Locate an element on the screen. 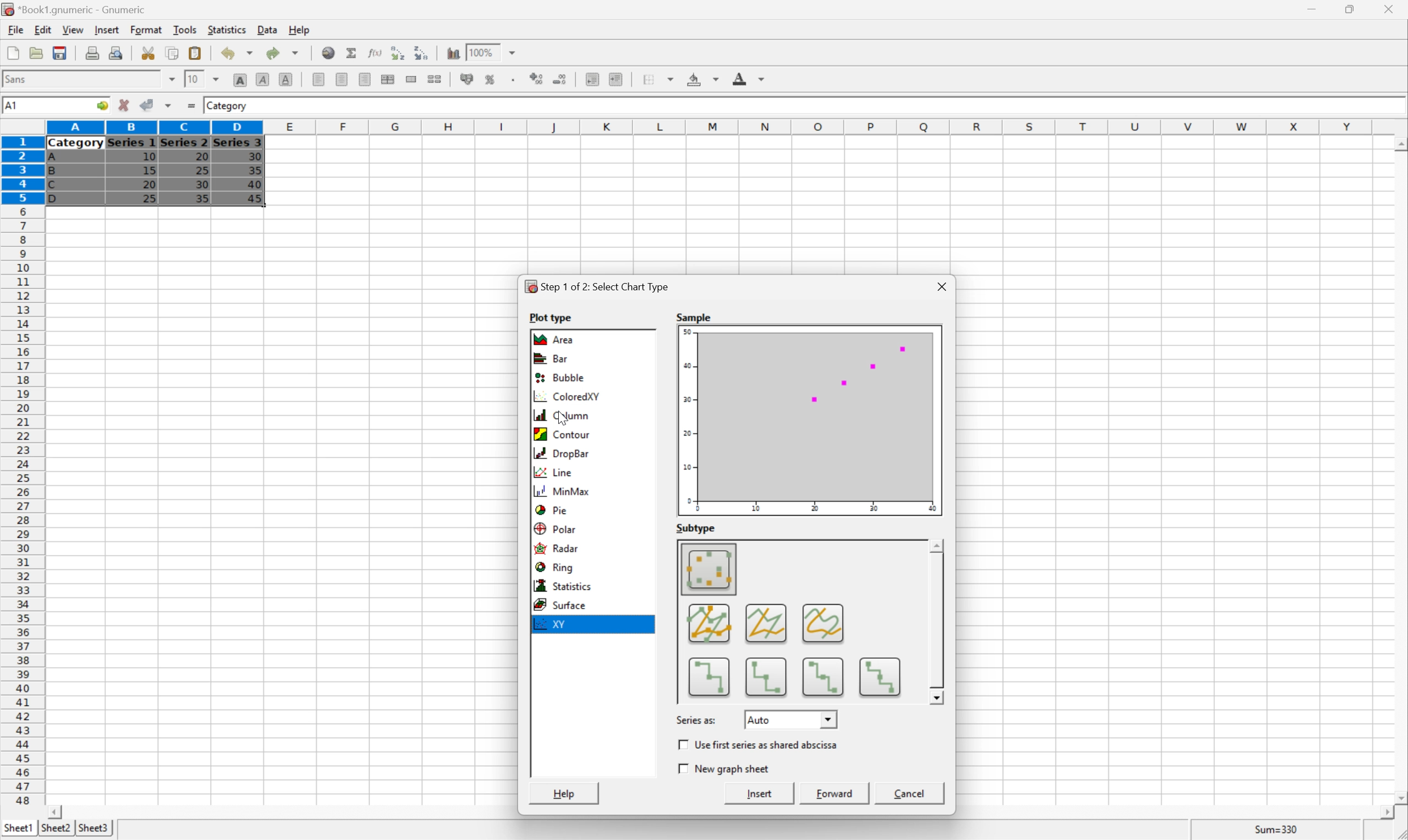  Italic is located at coordinates (262, 79).